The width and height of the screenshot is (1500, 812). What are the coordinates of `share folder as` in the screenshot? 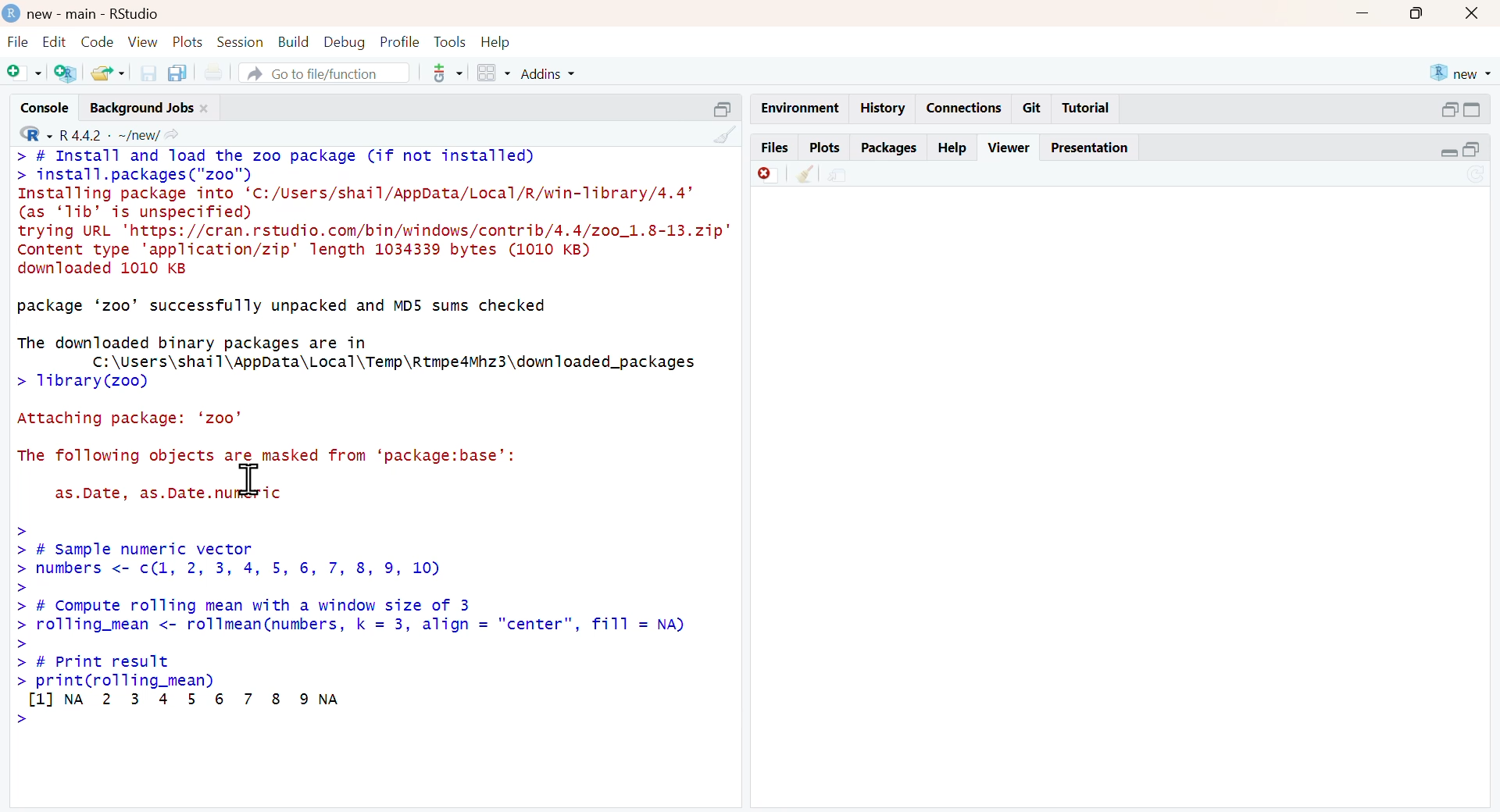 It's located at (109, 73).